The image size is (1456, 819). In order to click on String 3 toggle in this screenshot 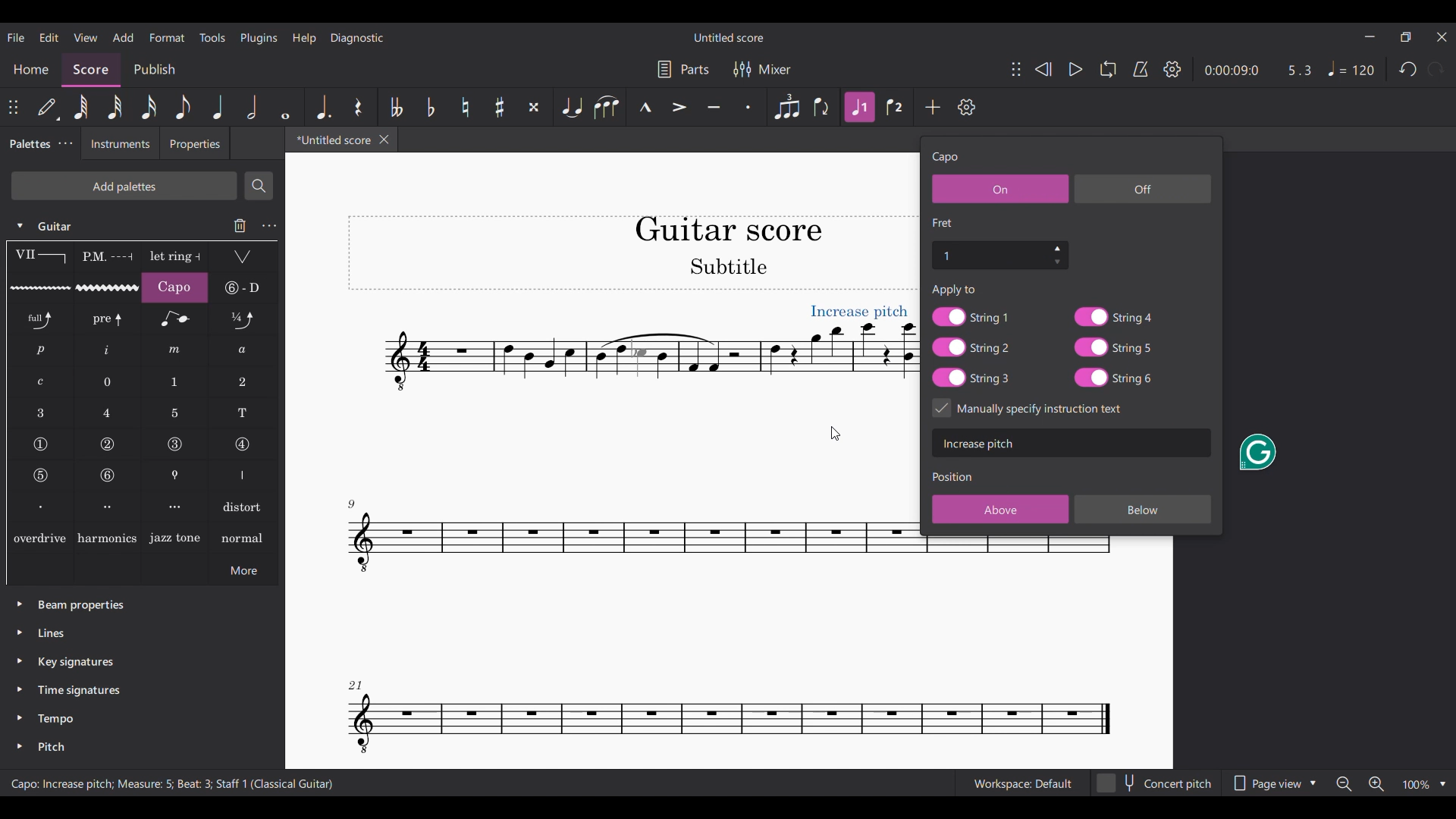, I will do `click(973, 377)`.